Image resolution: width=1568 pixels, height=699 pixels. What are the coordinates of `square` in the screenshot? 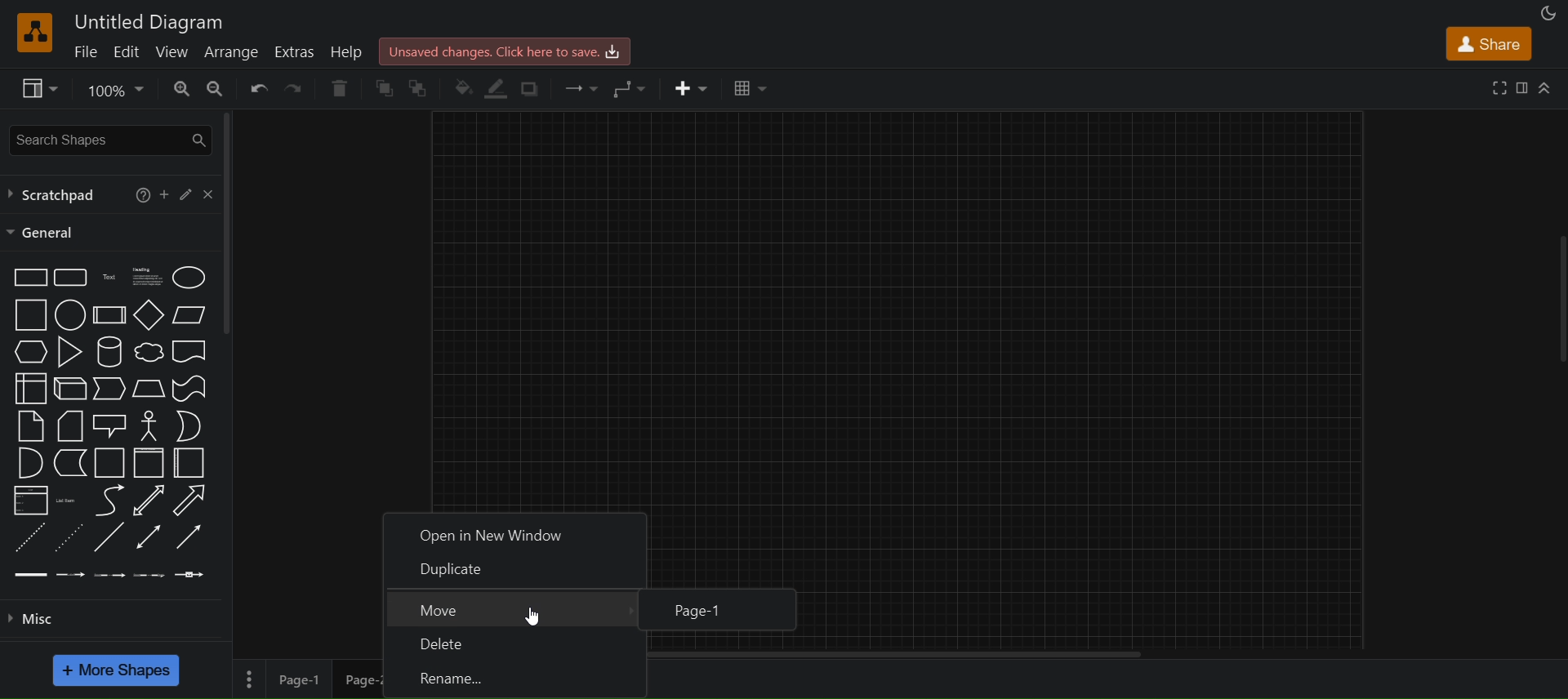 It's located at (29, 315).